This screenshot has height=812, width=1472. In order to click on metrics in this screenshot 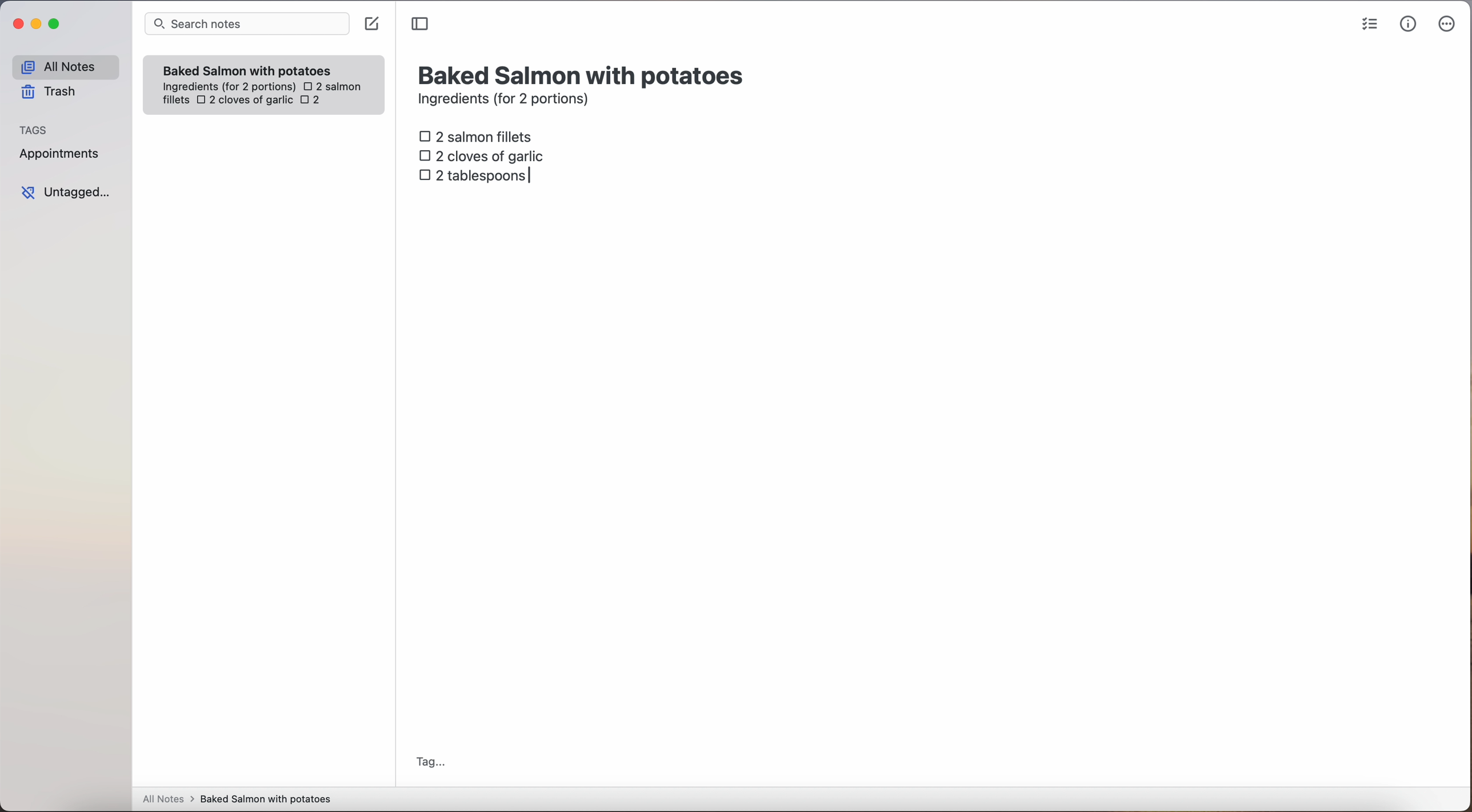, I will do `click(1409, 23)`.